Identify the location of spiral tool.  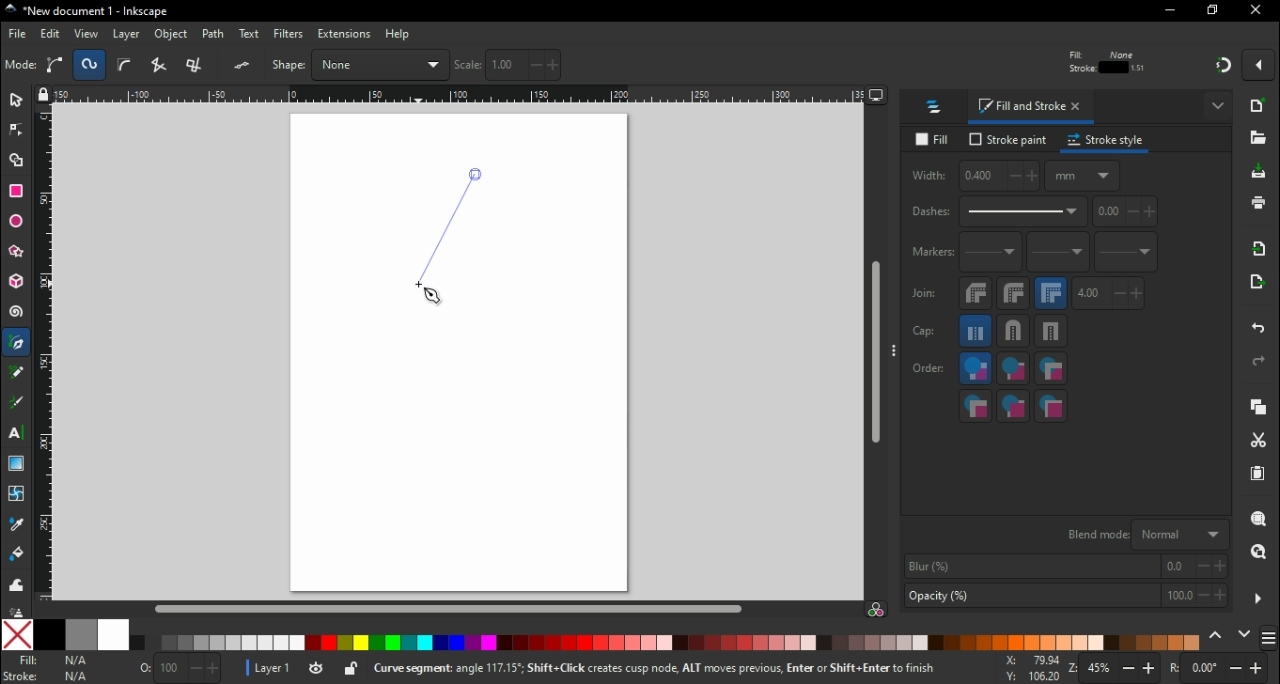
(17, 315).